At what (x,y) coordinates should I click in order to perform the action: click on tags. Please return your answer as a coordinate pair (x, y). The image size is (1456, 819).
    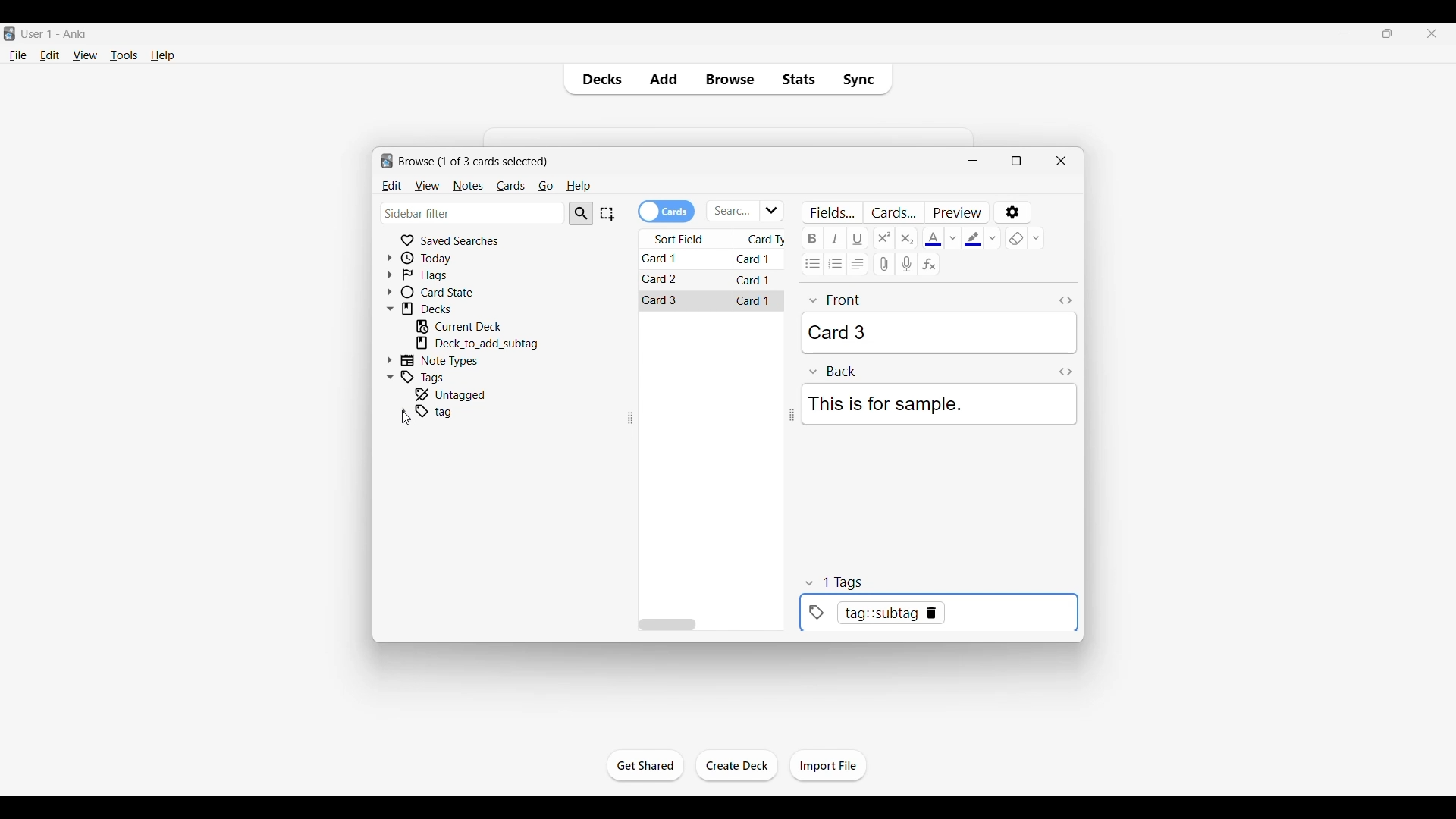
    Looking at the image, I should click on (839, 582).